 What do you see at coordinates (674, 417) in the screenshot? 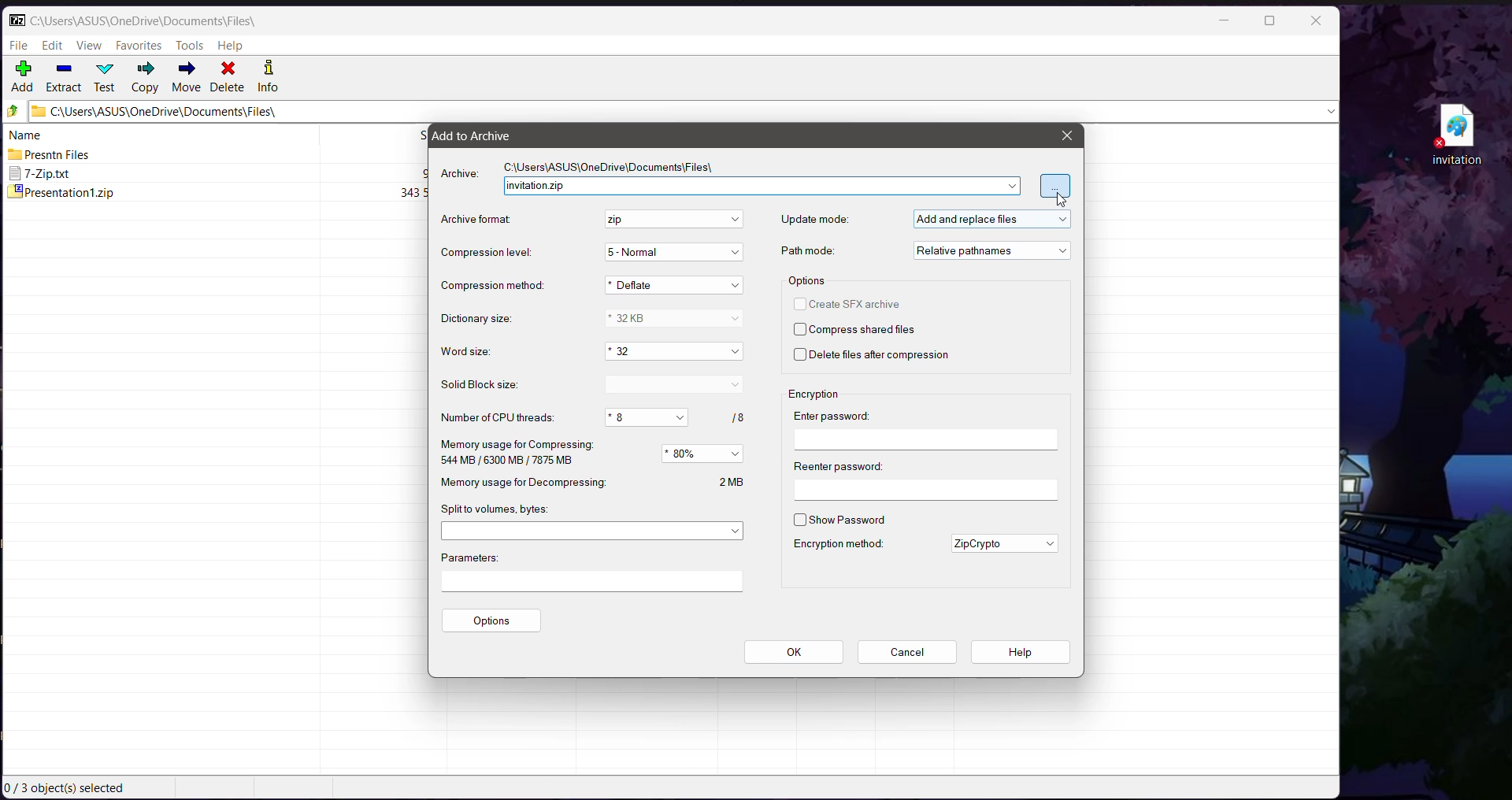
I see `Set the Number of CPU threads out of 8` at bounding box center [674, 417].